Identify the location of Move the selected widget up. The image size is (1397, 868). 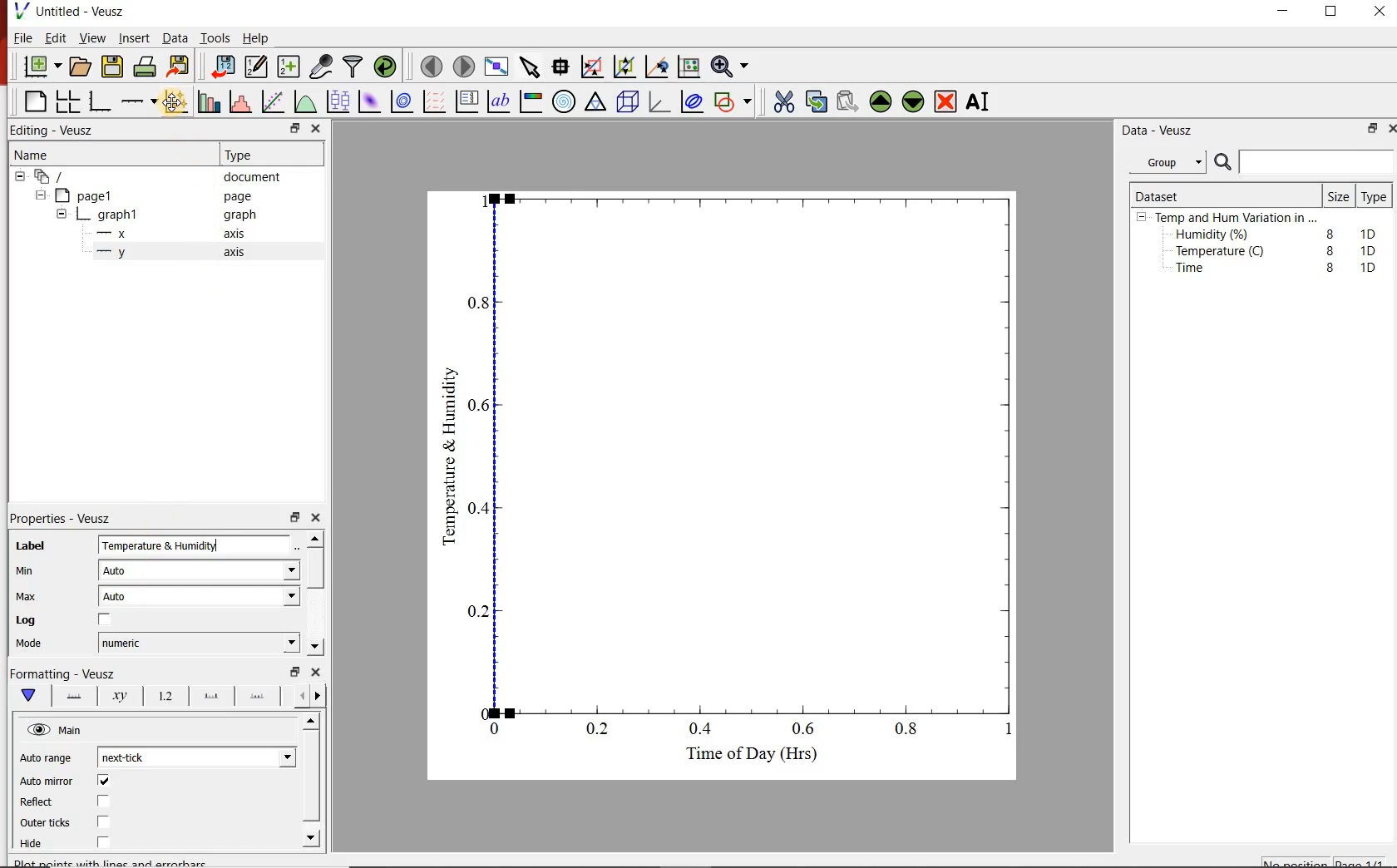
(881, 100).